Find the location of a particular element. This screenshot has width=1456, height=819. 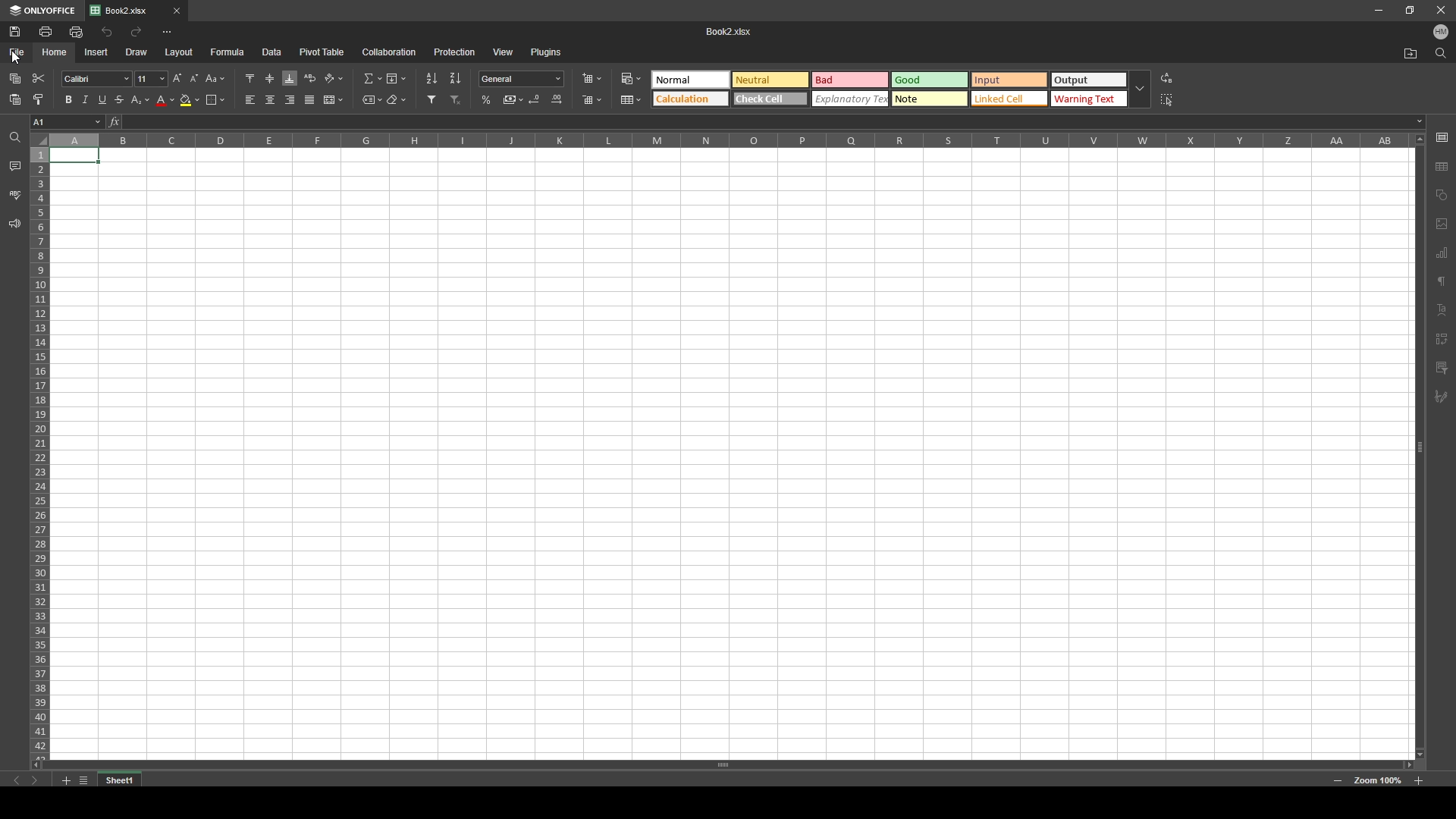

clear is located at coordinates (397, 100).